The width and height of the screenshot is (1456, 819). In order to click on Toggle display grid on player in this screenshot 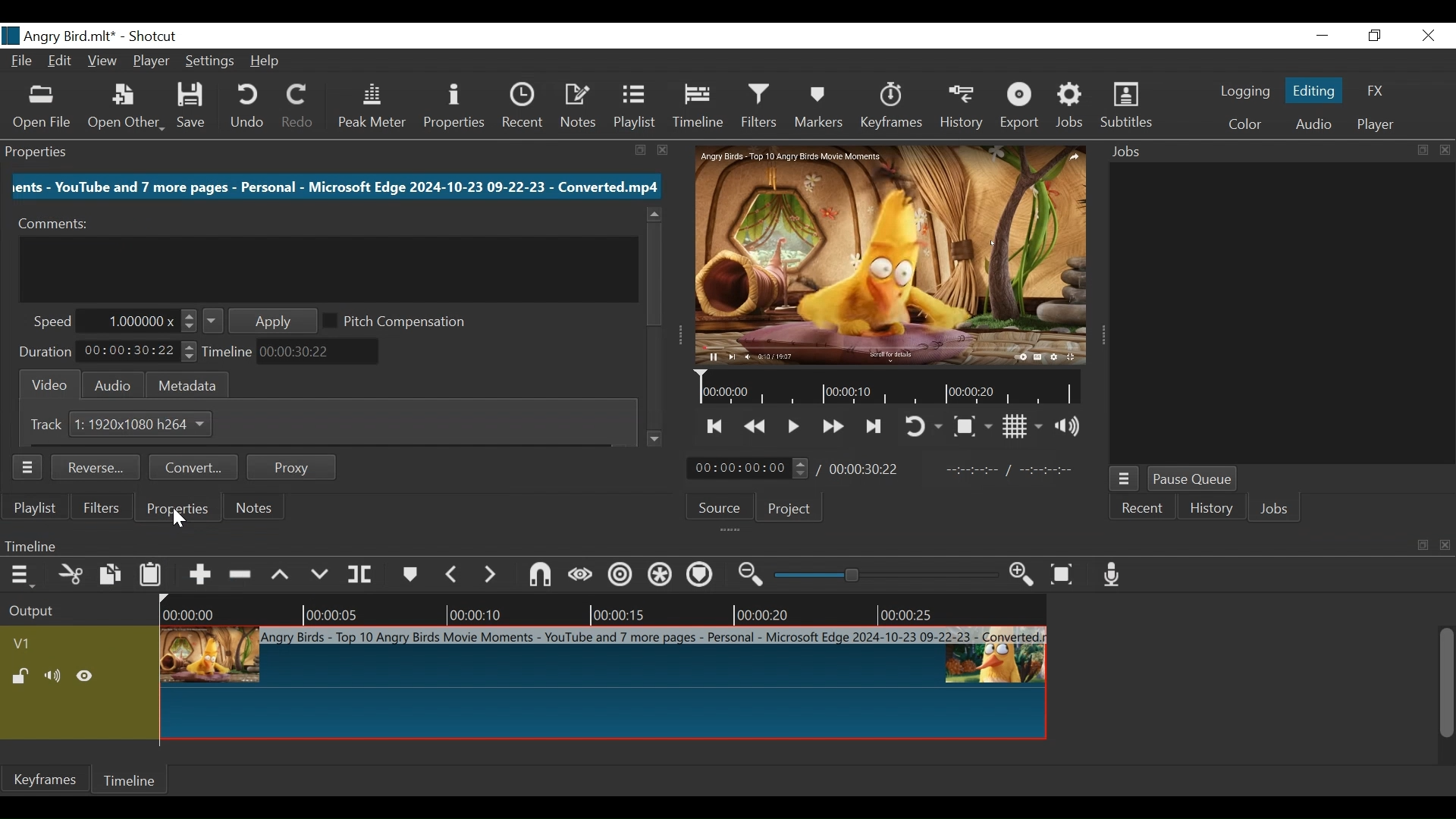, I will do `click(1023, 427)`.